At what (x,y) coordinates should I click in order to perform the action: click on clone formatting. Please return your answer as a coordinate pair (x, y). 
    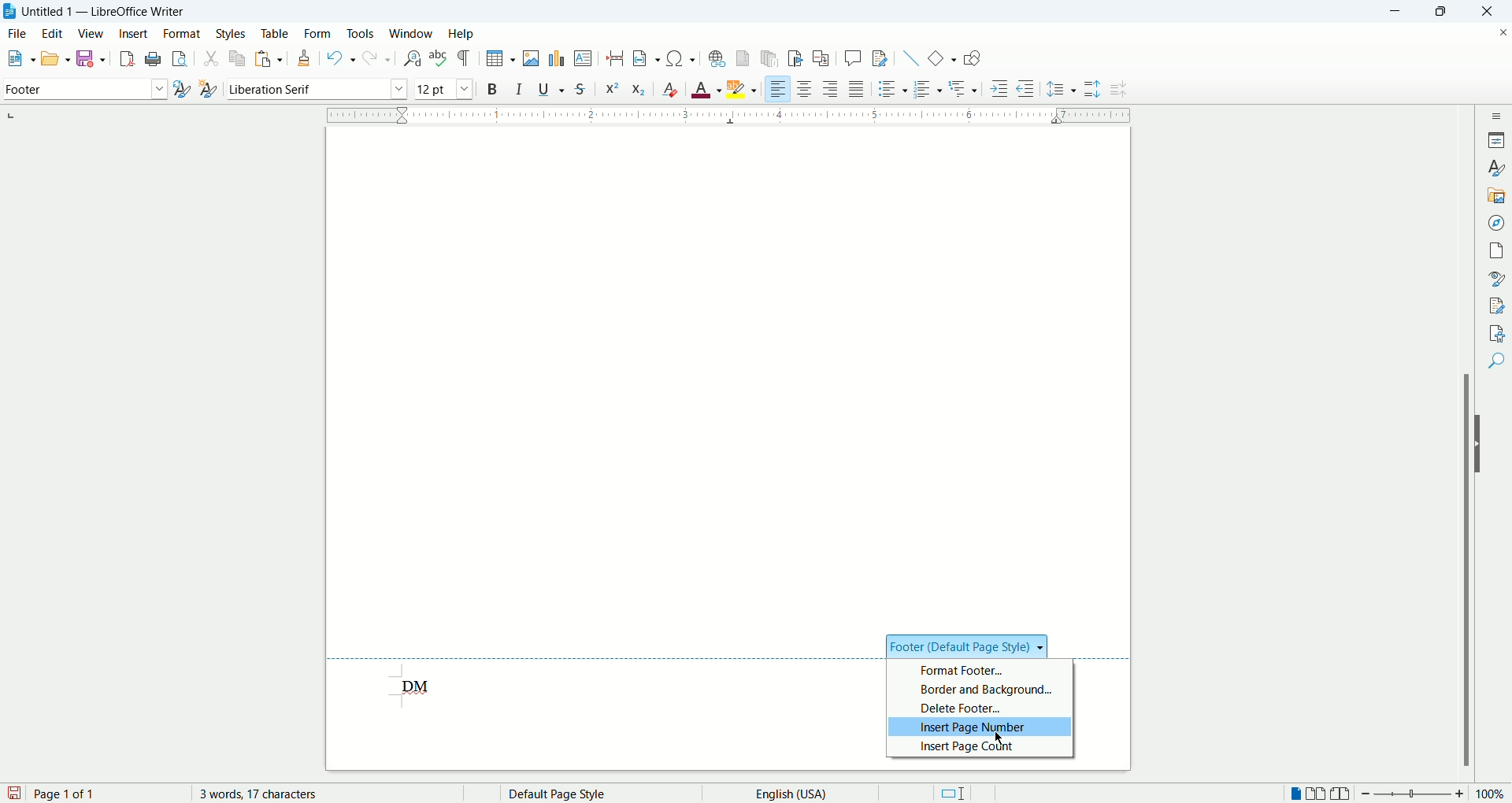
    Looking at the image, I should click on (306, 59).